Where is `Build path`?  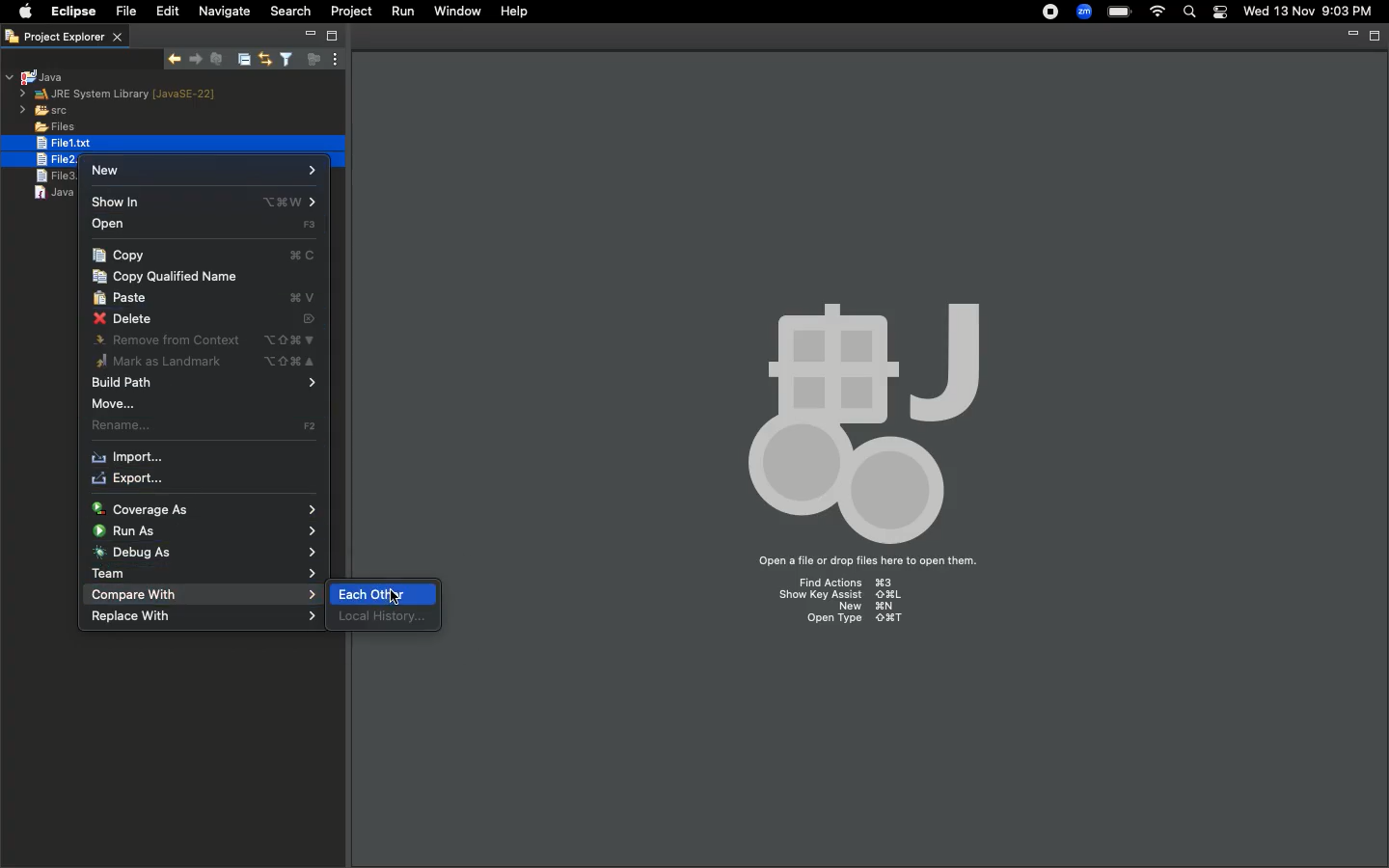
Build path is located at coordinates (207, 380).